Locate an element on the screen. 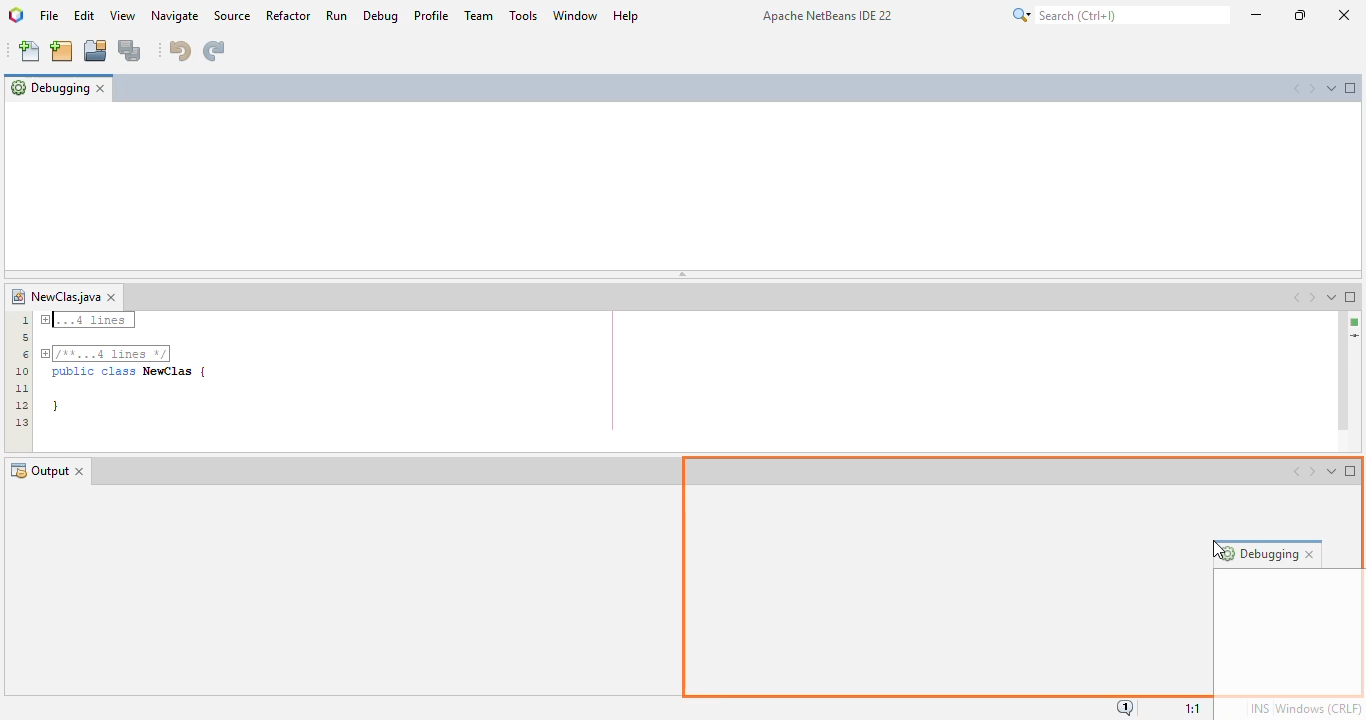 The height and width of the screenshot is (720, 1366). scroll documents left is located at coordinates (1296, 88).